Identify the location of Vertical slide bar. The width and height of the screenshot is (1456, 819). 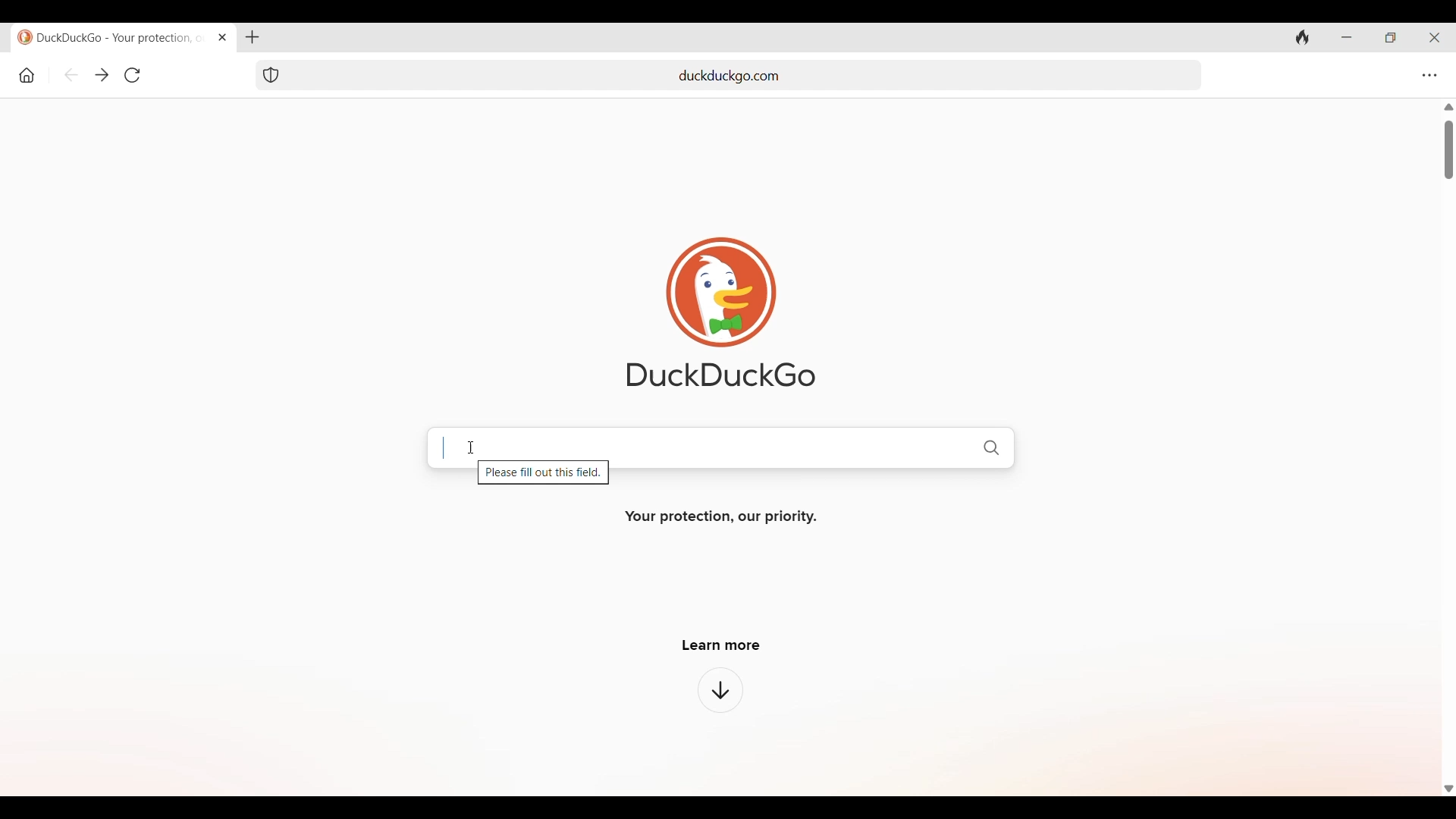
(1448, 150).